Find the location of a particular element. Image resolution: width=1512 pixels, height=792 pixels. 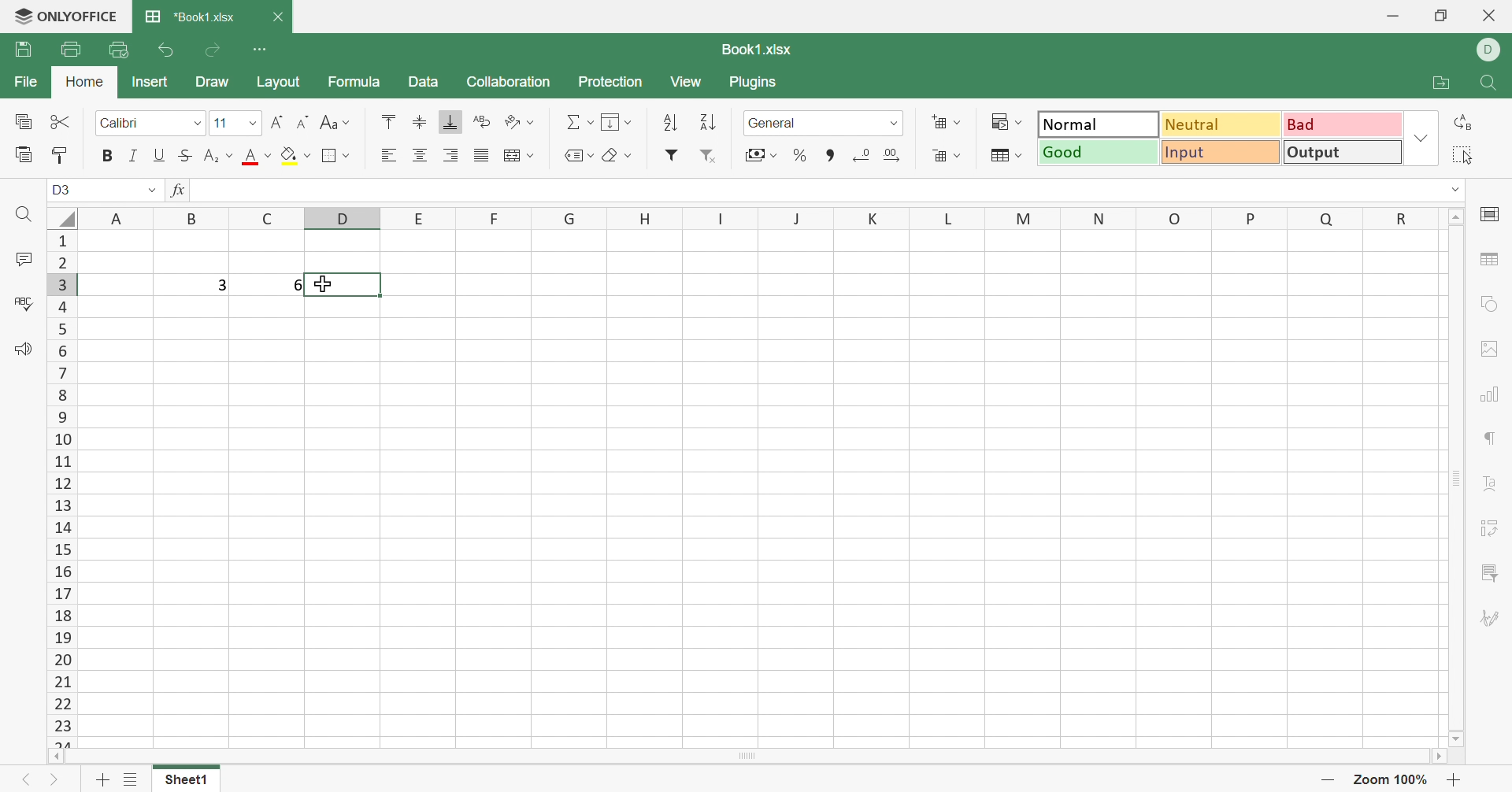

Print file is located at coordinates (73, 47).